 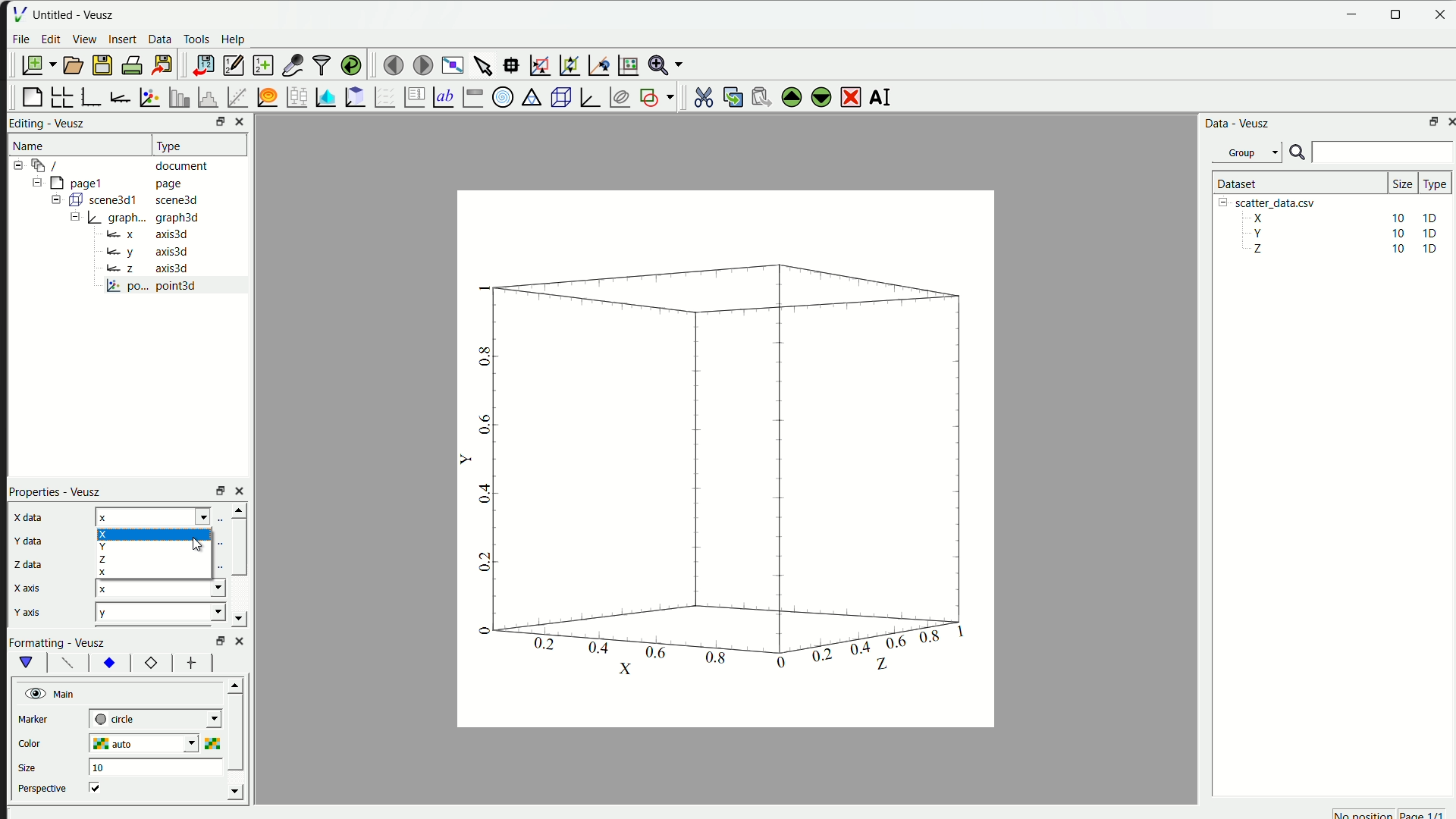 I want to click on x, so click(x=161, y=591).